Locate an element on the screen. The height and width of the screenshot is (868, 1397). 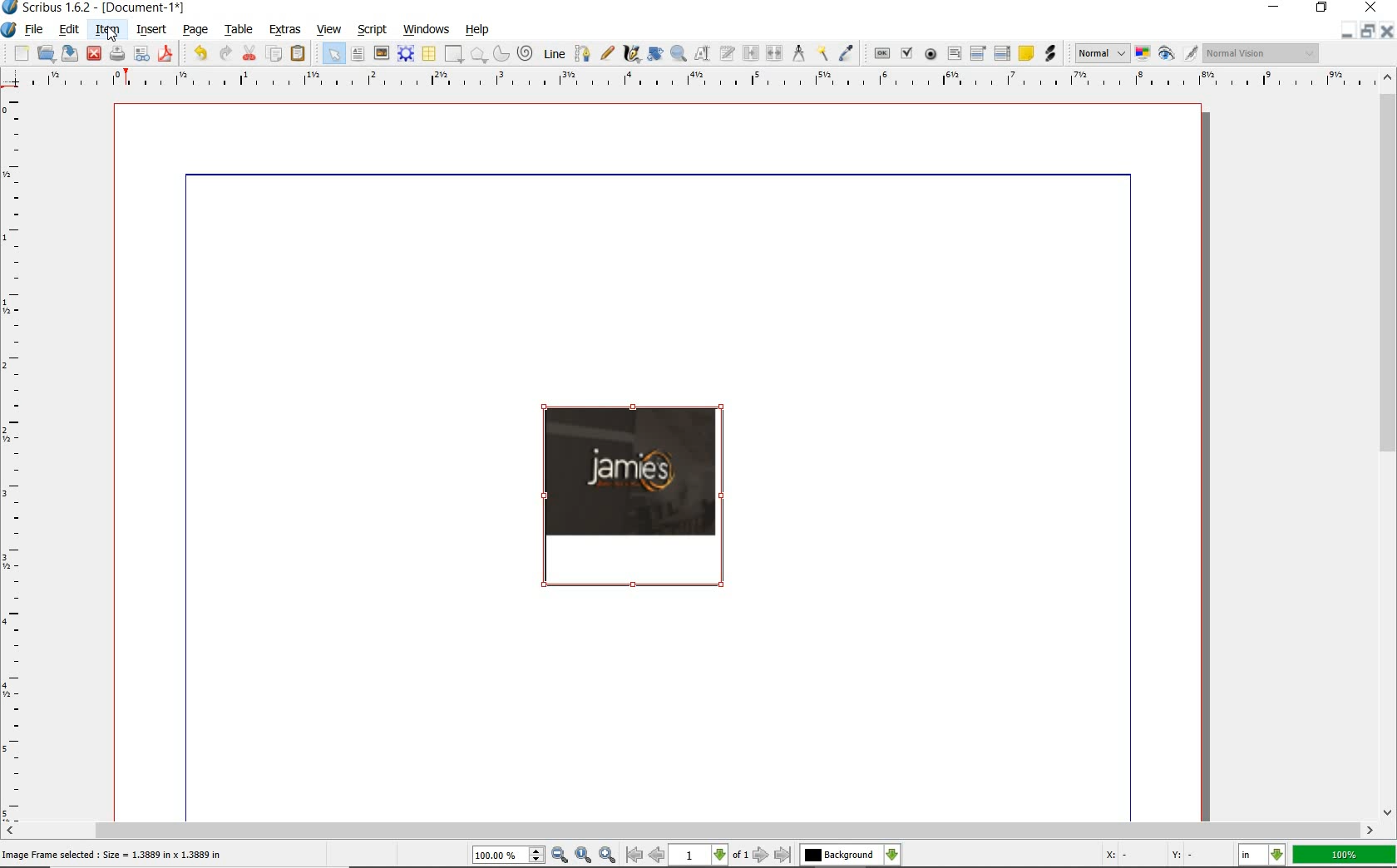
preview mode is located at coordinates (1177, 52).